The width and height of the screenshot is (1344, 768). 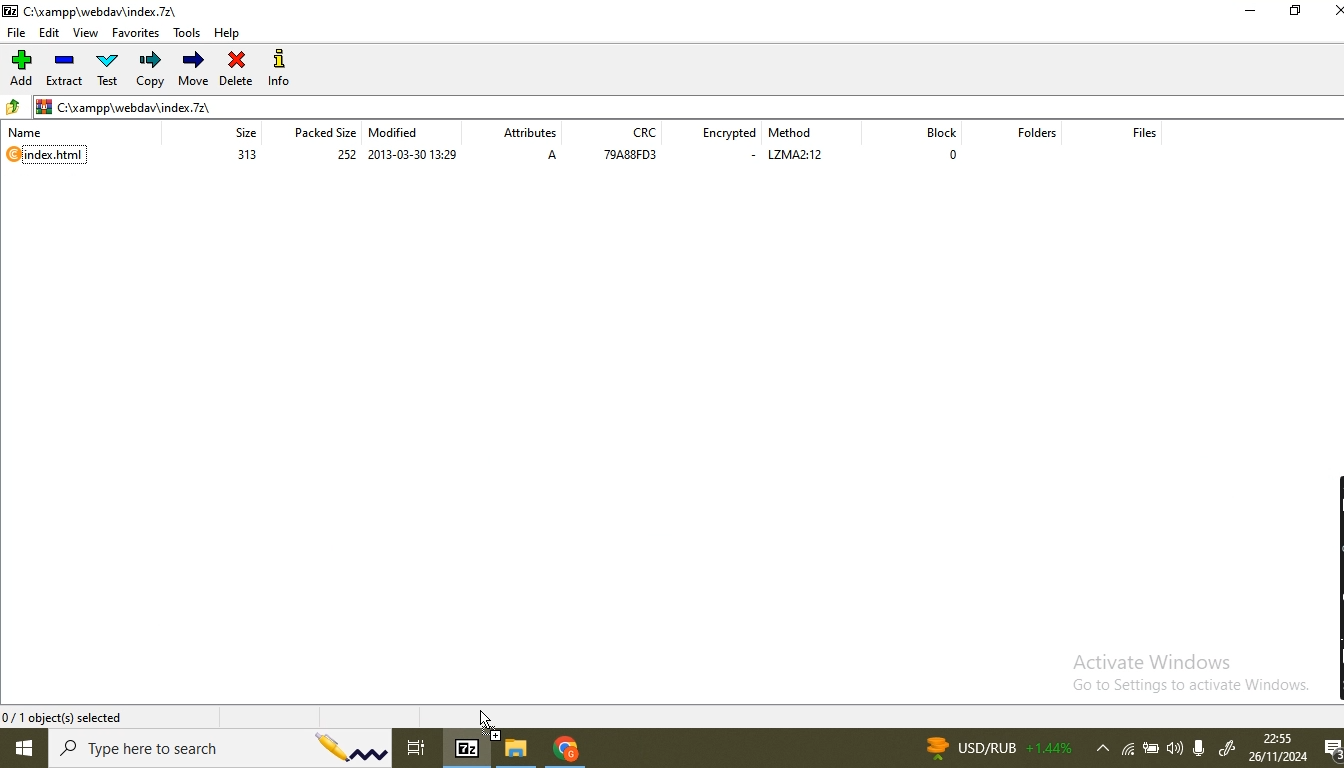 I want to click on encrypted, so click(x=730, y=132).